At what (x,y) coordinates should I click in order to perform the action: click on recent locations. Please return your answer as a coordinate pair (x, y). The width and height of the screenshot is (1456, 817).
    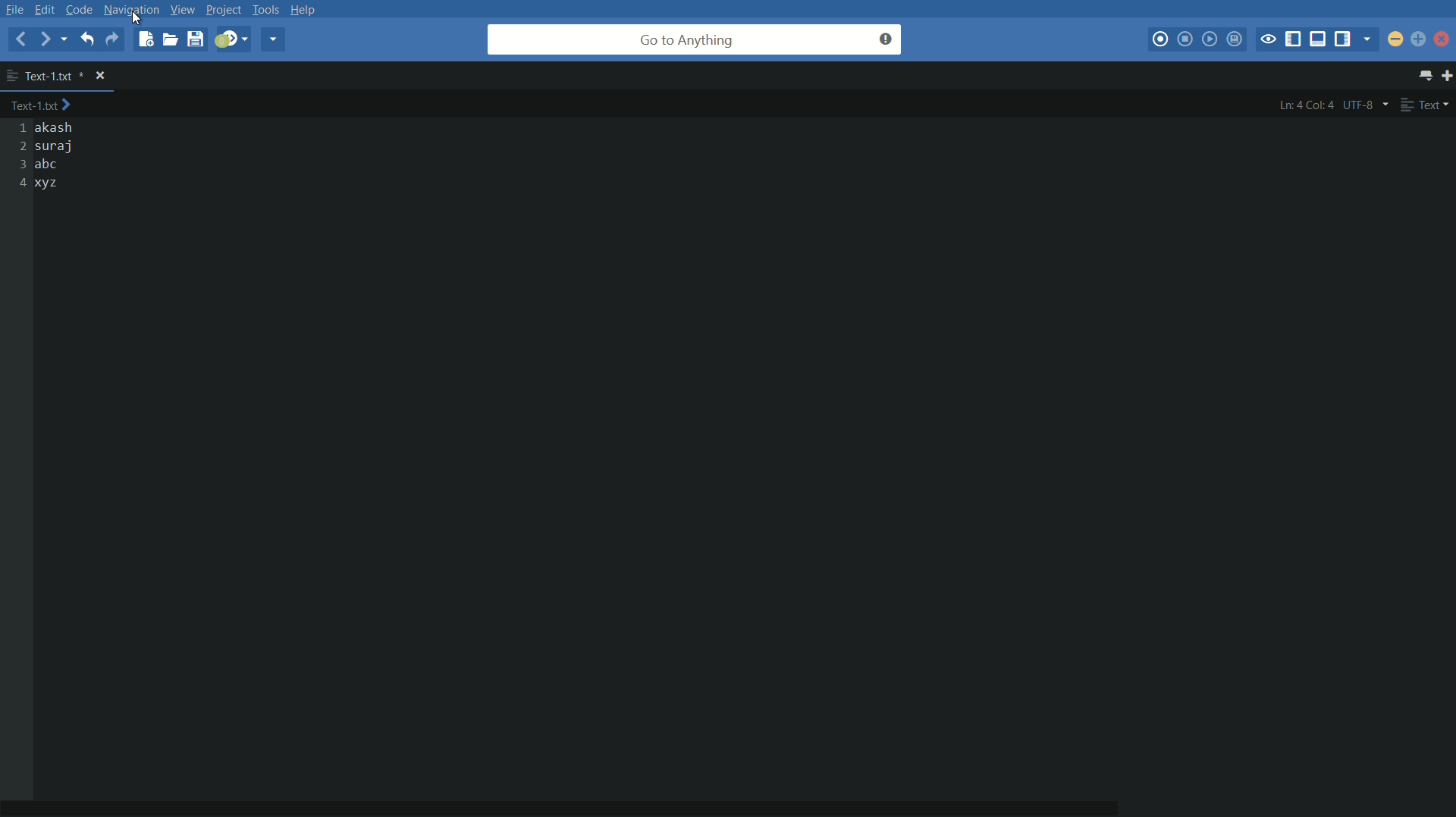
    Looking at the image, I should click on (68, 41).